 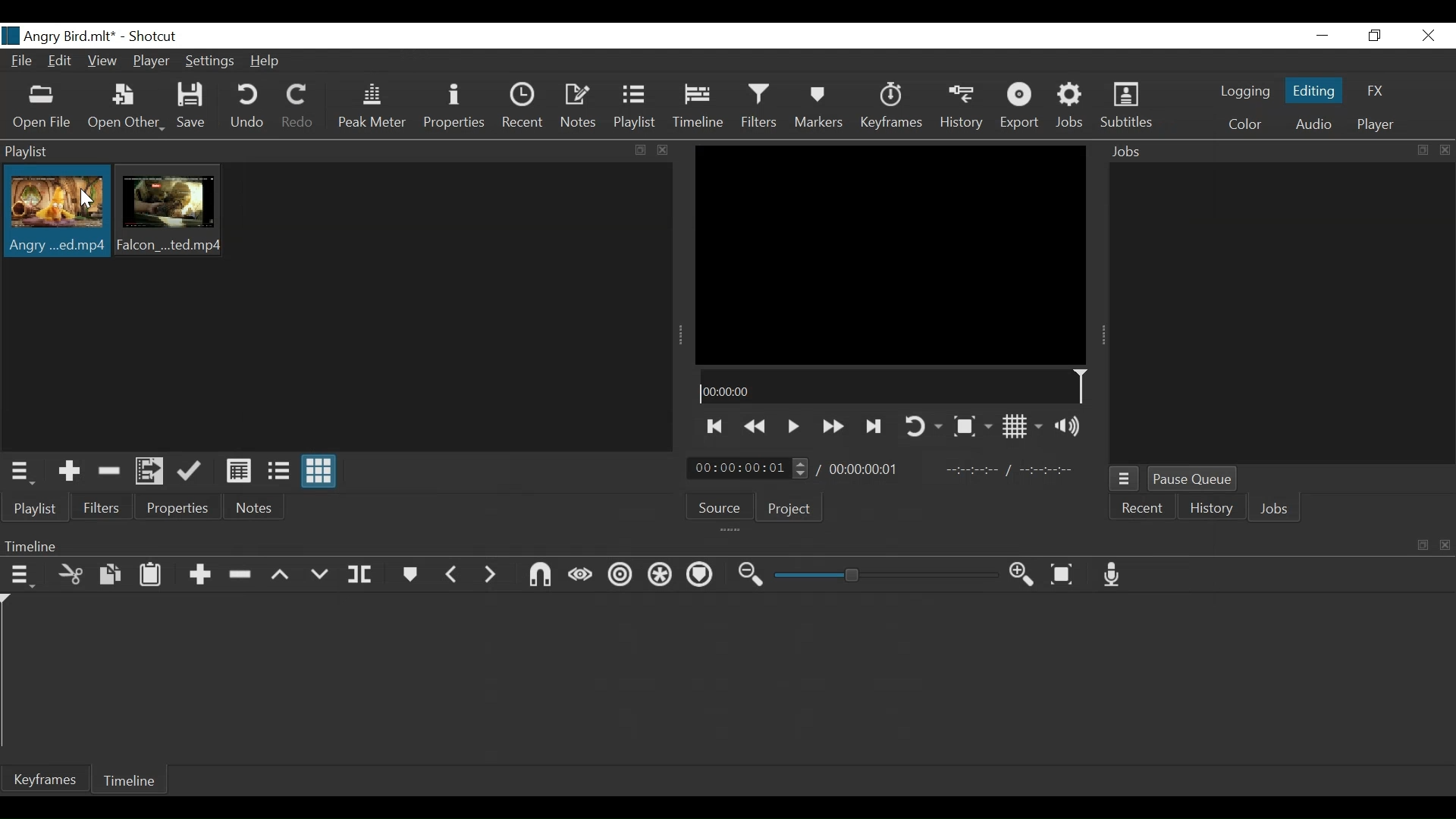 What do you see at coordinates (131, 783) in the screenshot?
I see `Timeline` at bounding box center [131, 783].